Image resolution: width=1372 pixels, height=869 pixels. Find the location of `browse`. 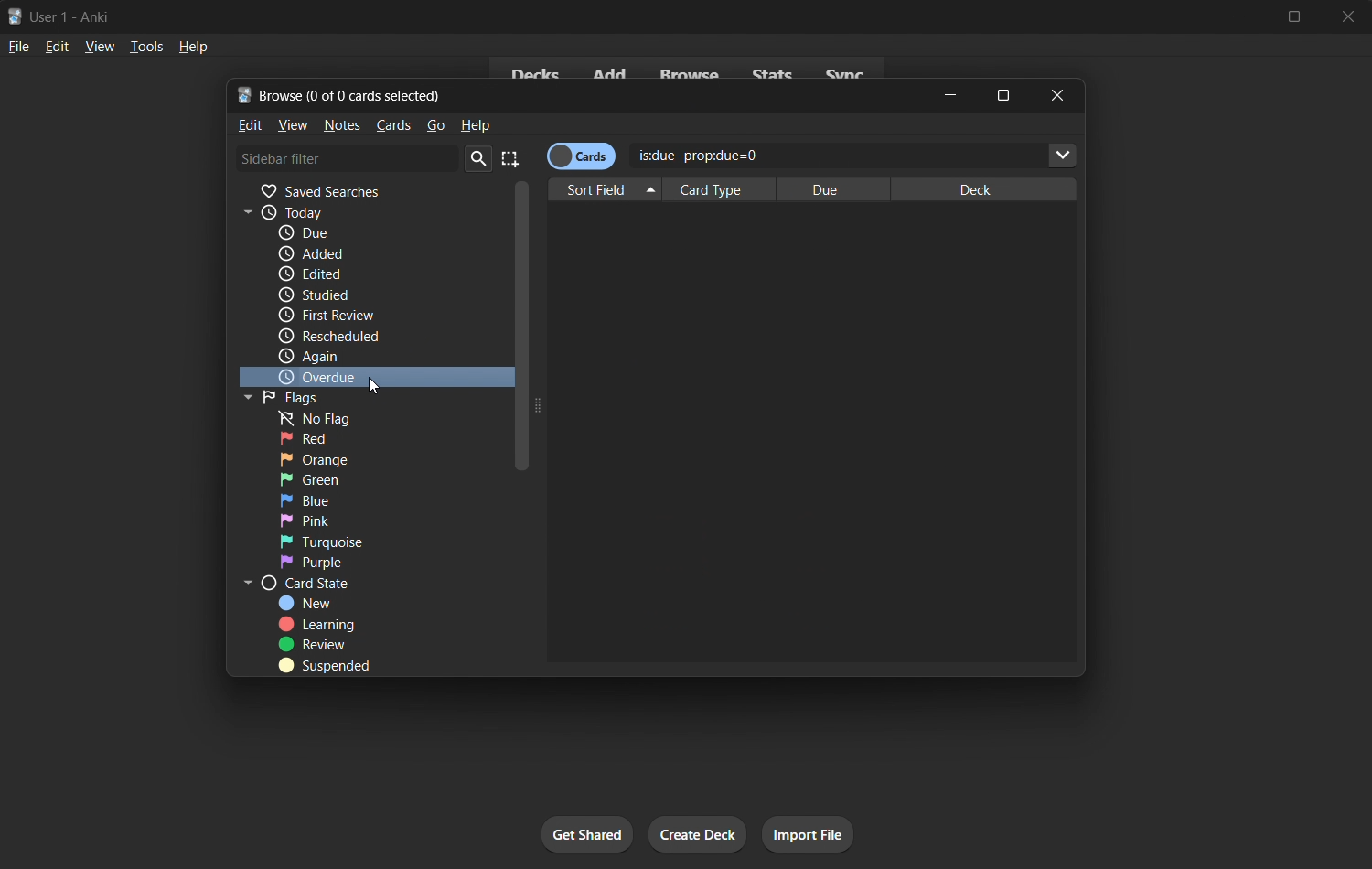

browse is located at coordinates (691, 70).